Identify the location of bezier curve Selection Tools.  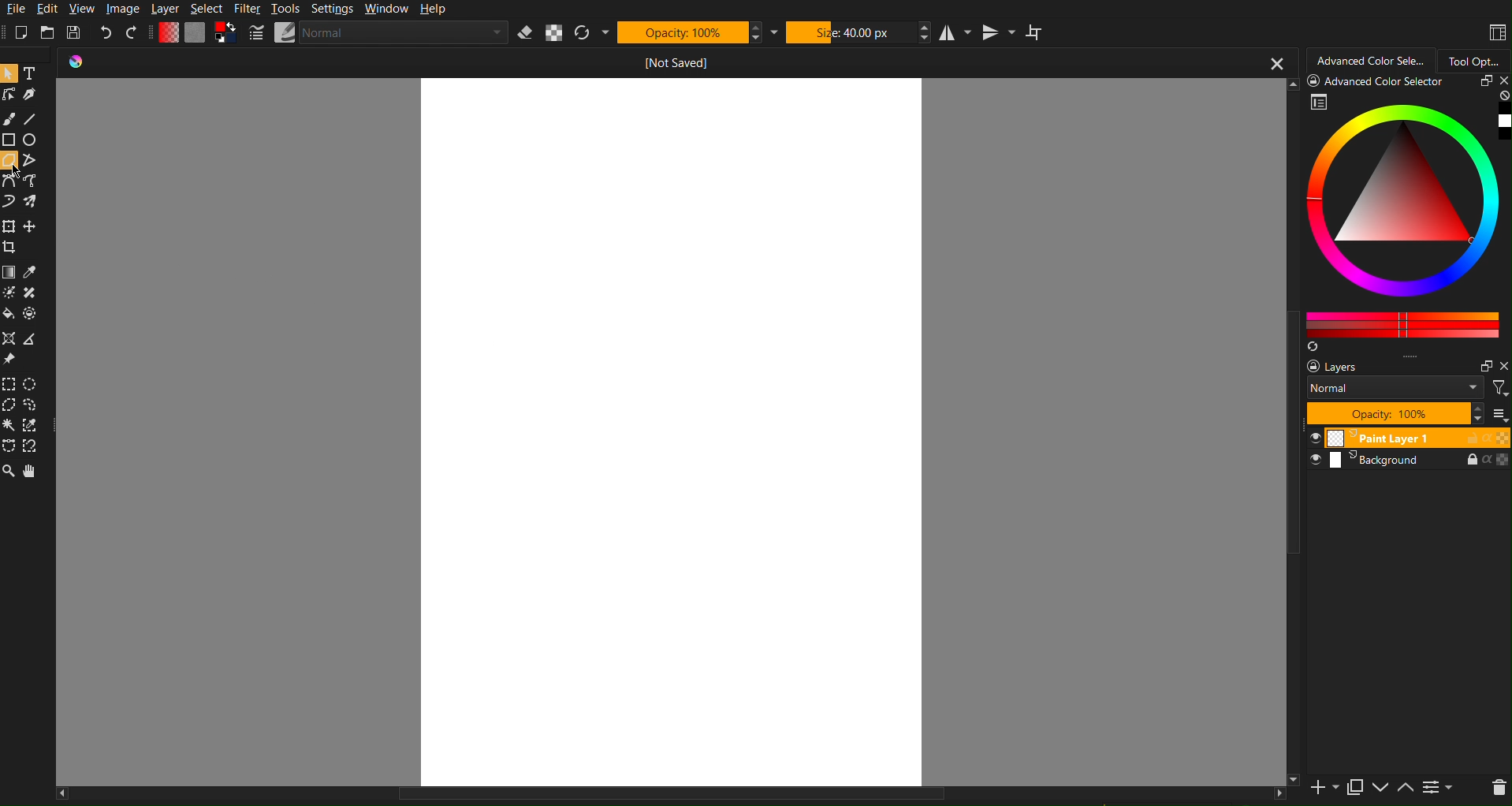
(9, 447).